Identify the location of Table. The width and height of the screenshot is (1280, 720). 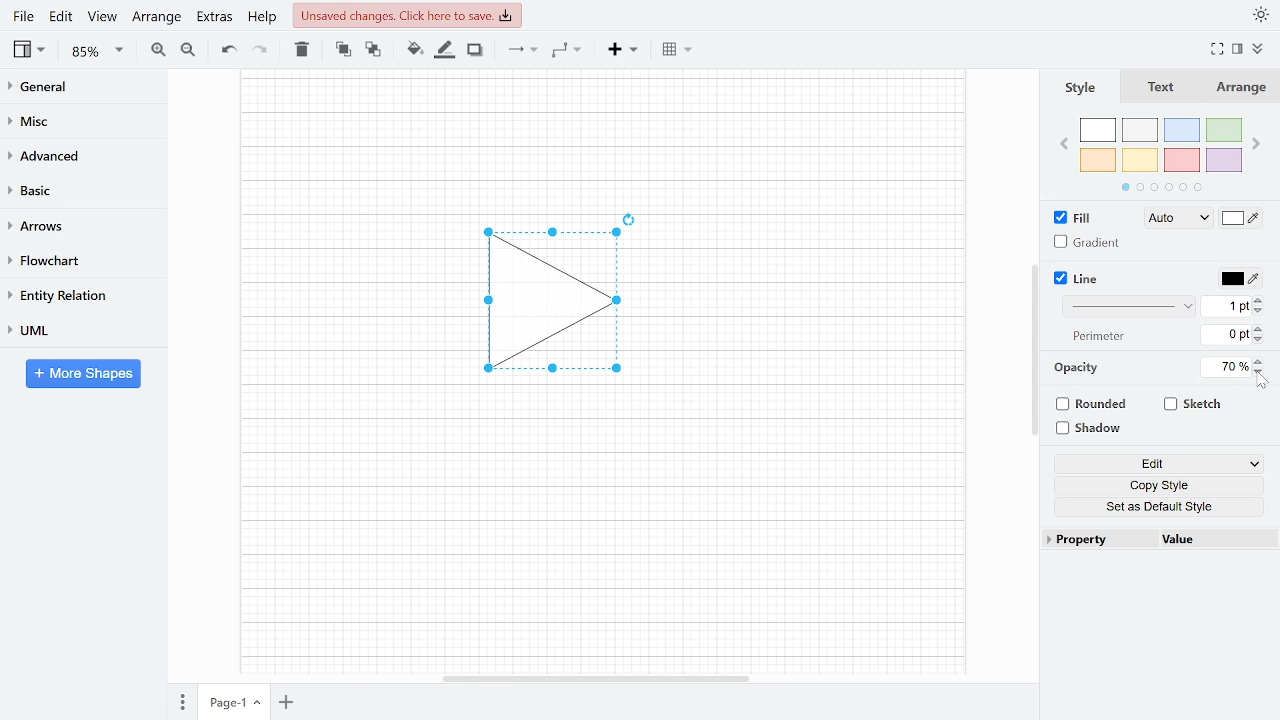
(679, 48).